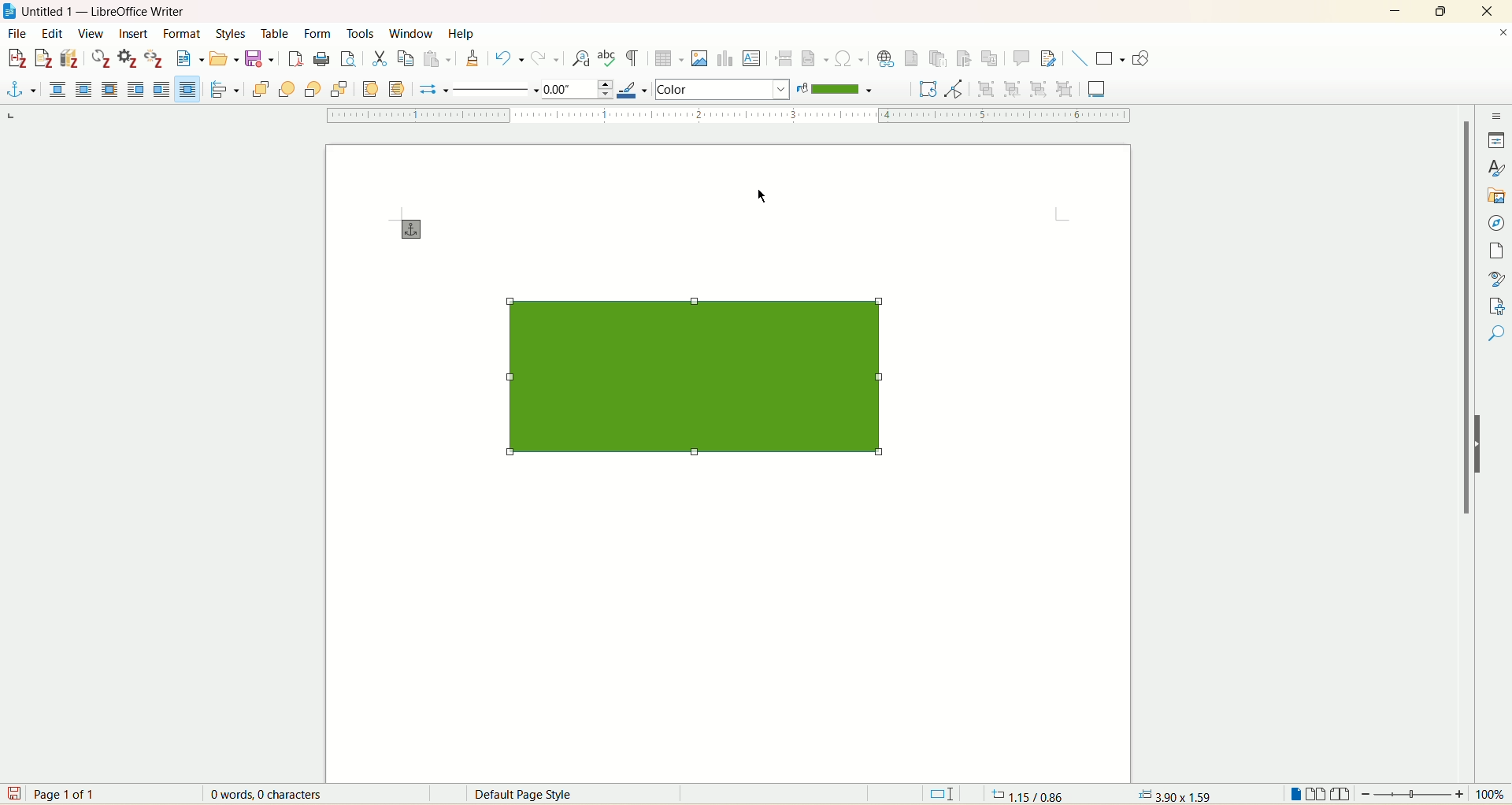 The height and width of the screenshot is (805, 1512). Describe the element at coordinates (636, 61) in the screenshot. I see `mark formatting` at that location.